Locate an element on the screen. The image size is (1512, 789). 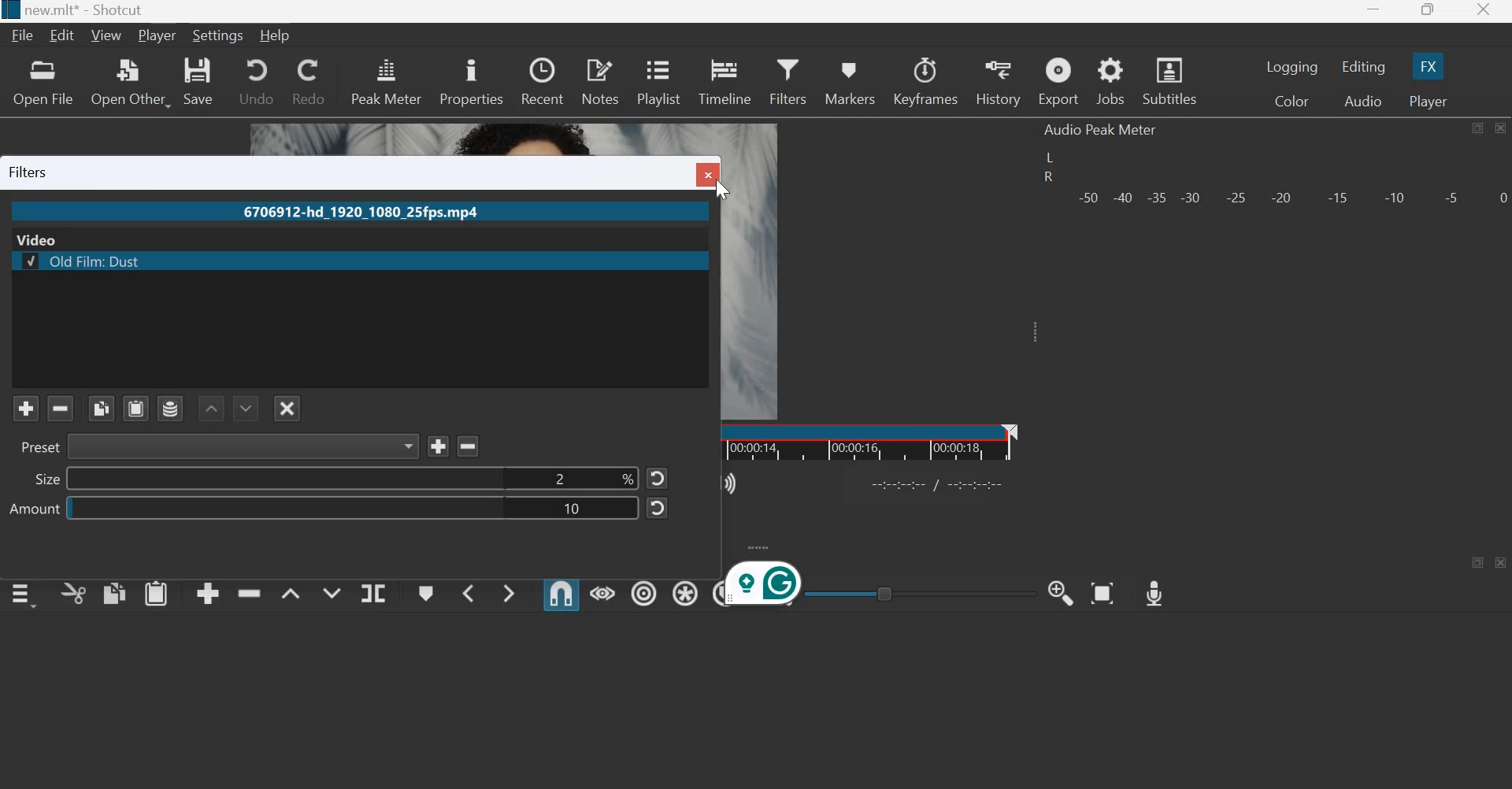
Ripple is located at coordinates (644, 591).